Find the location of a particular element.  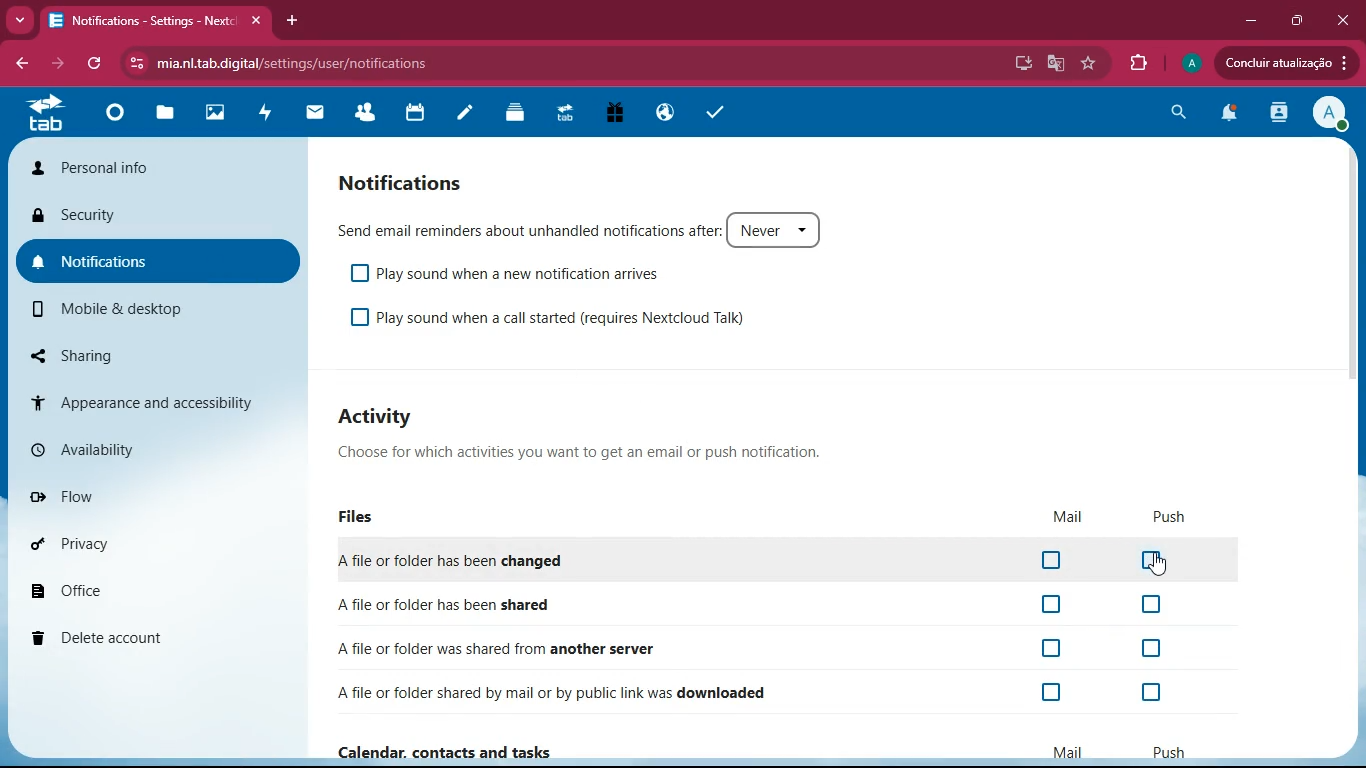

profile is located at coordinates (1331, 112).